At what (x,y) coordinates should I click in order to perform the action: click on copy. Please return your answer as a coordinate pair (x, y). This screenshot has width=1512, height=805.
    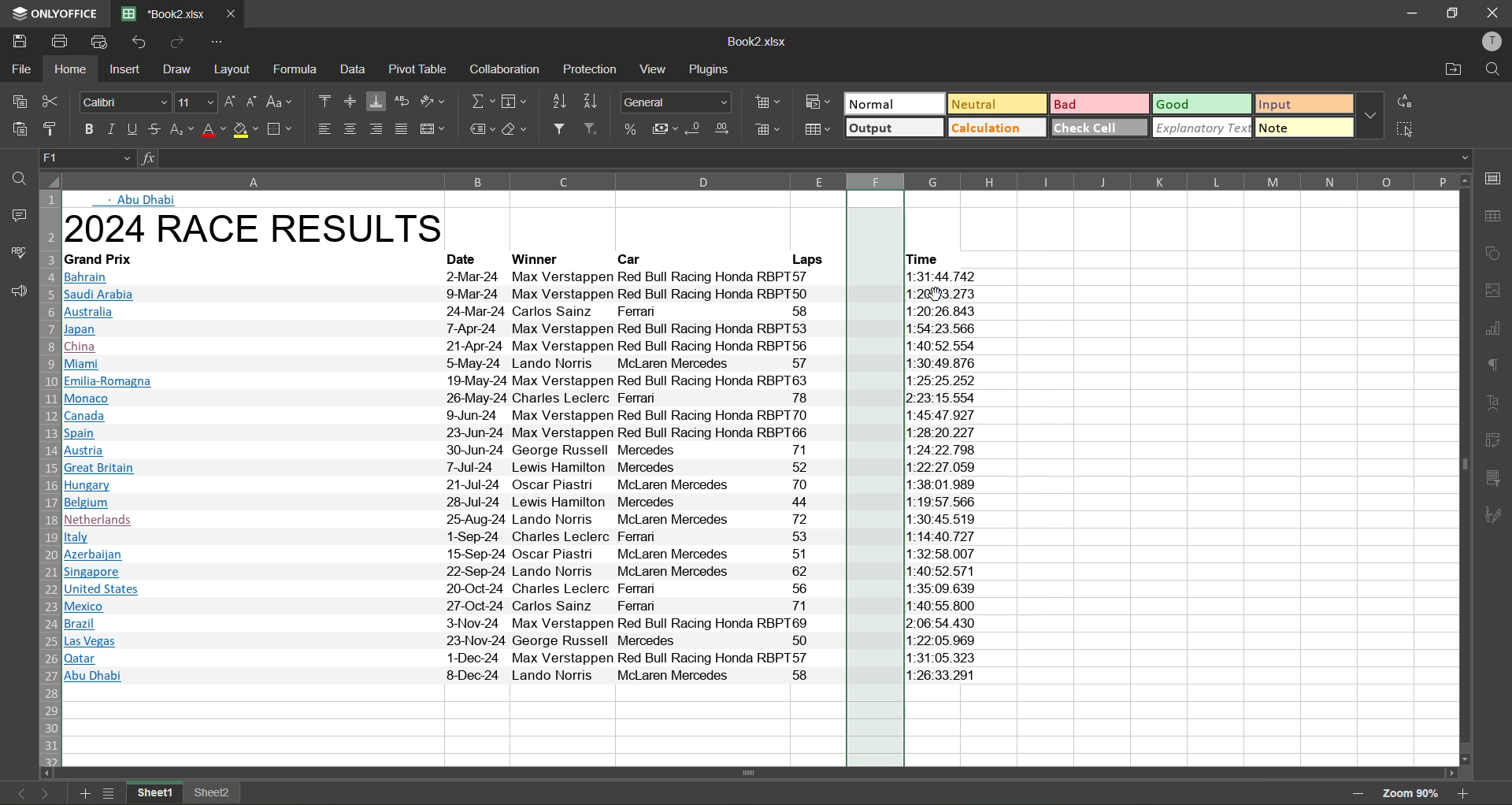
    Looking at the image, I should click on (15, 99).